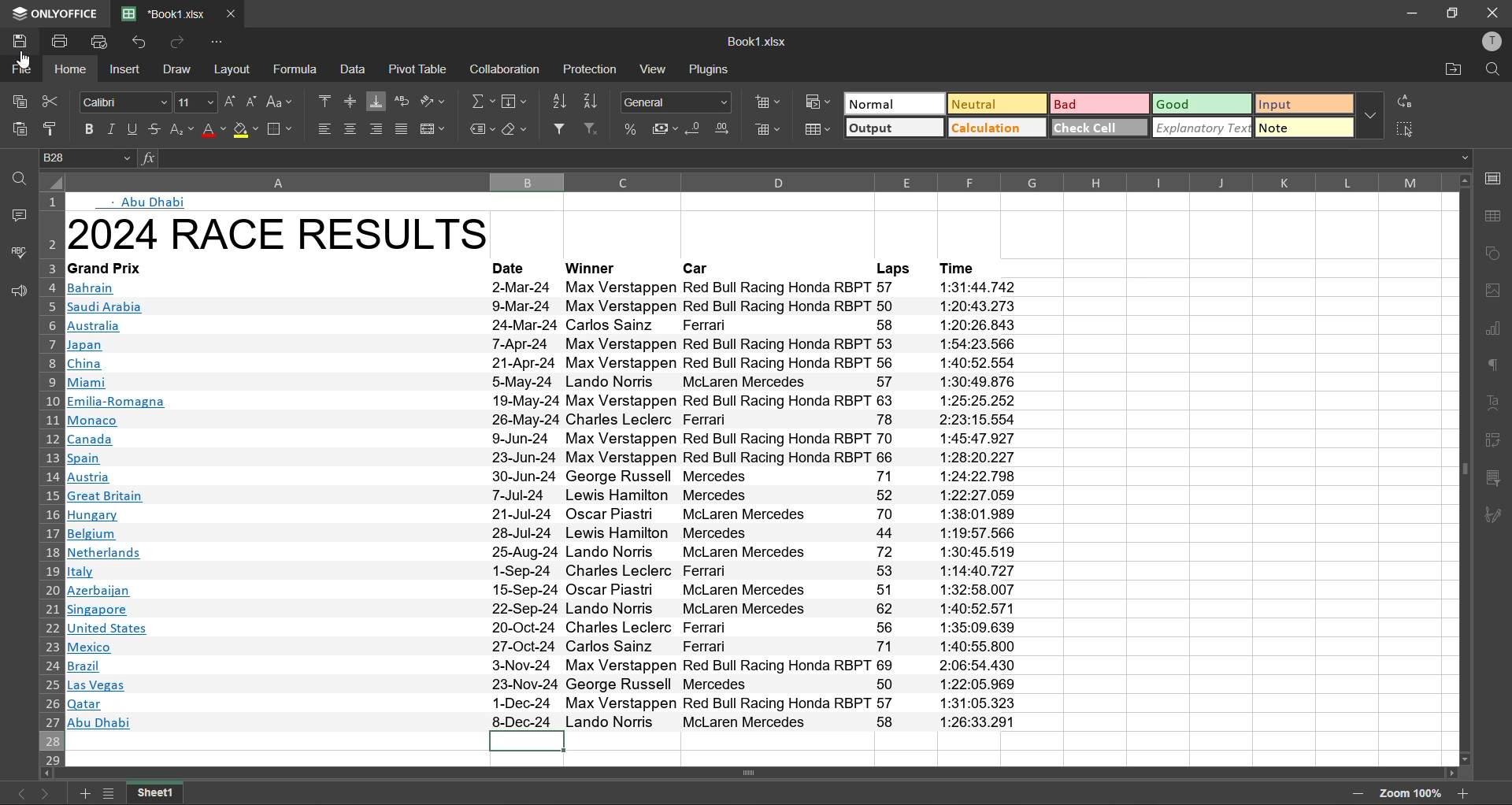 The height and width of the screenshot is (805, 1512). Describe the element at coordinates (47, 775) in the screenshot. I see `move left` at that location.